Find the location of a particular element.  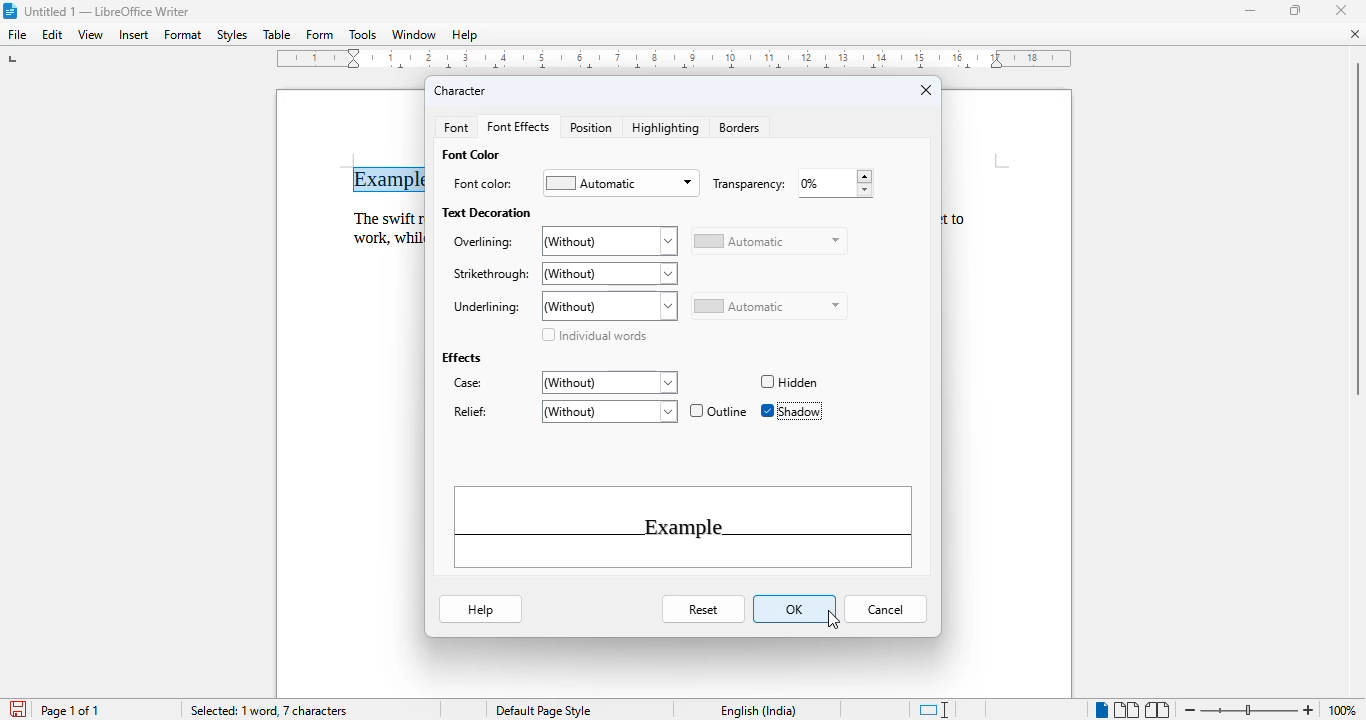

hidden is located at coordinates (788, 383).